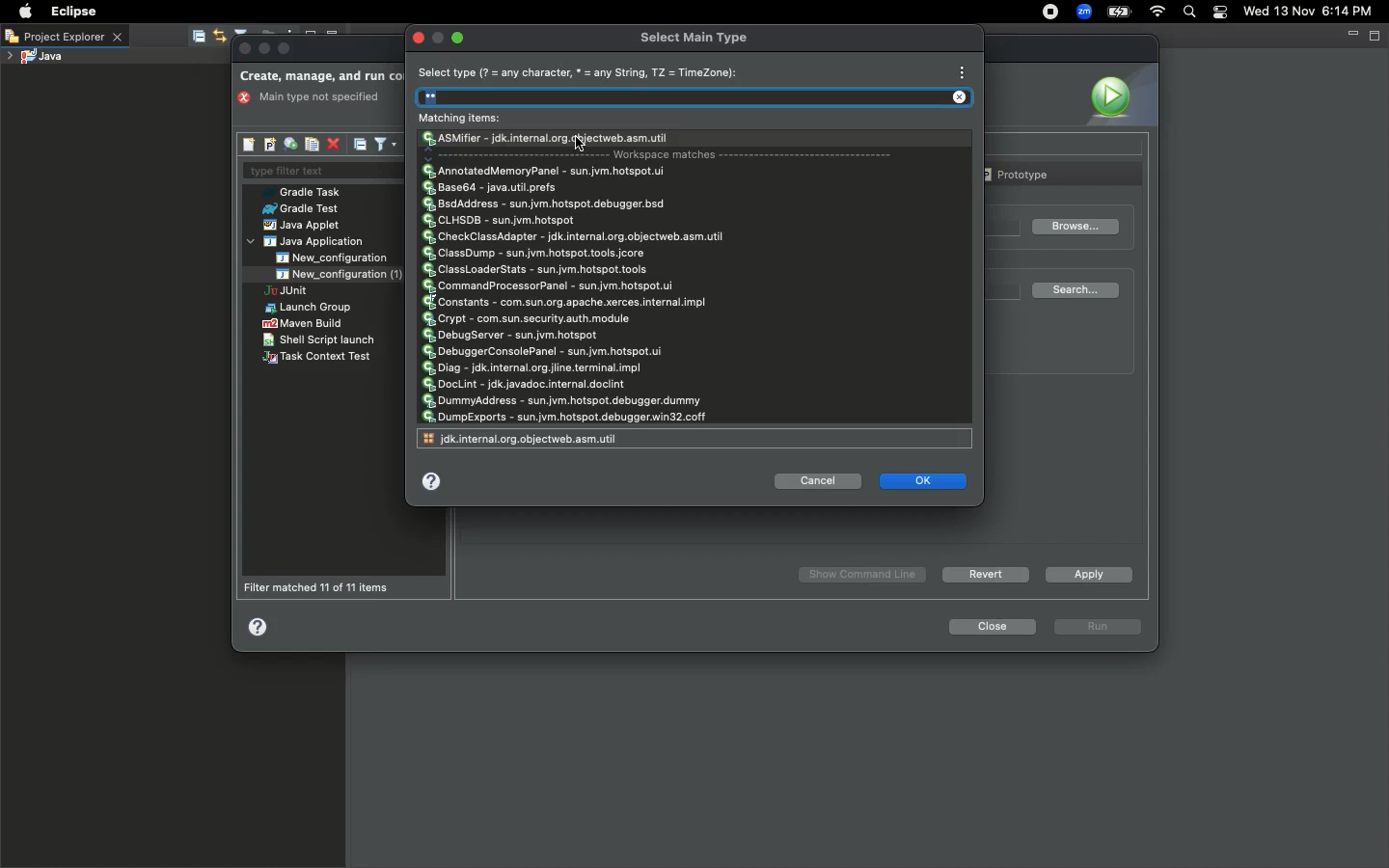 The image size is (1389, 868). Describe the element at coordinates (501, 223) in the screenshot. I see `CLHSDB - sun.jvm.hotspot` at that location.